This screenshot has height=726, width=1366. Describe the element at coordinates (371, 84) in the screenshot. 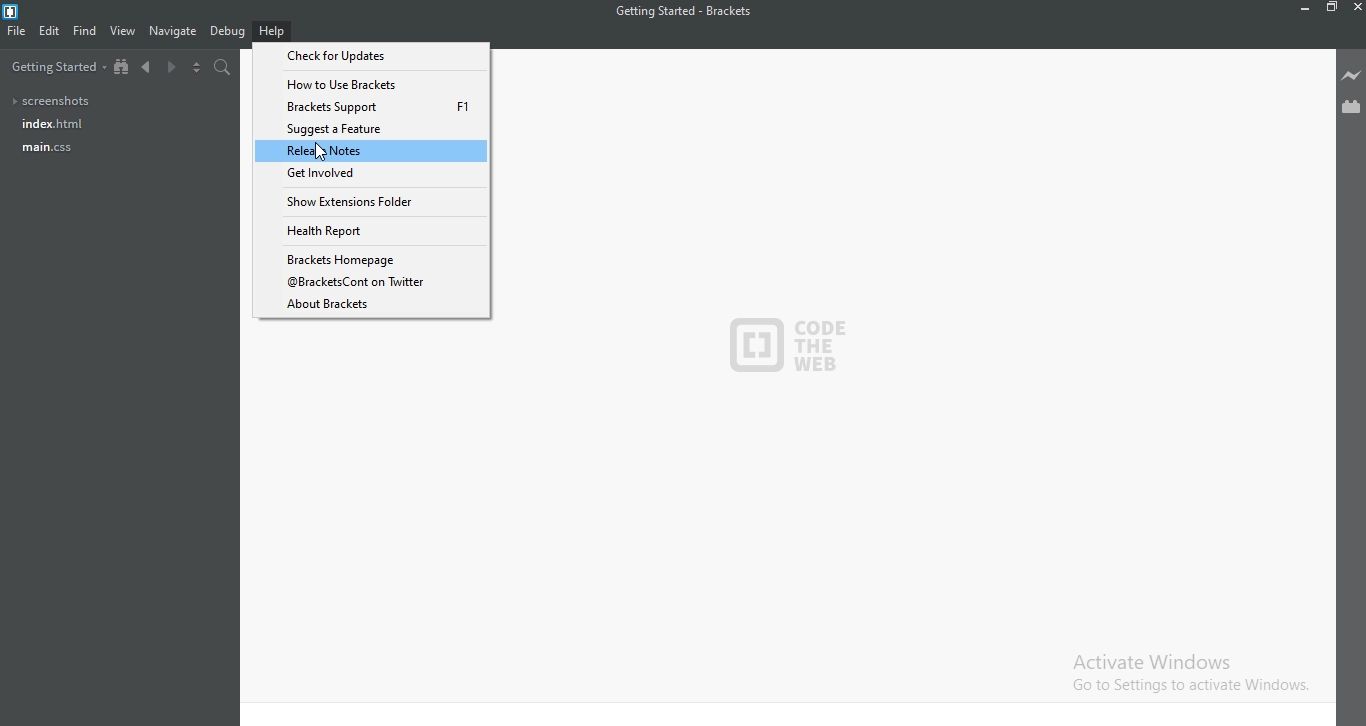

I see `How to Use Brackets` at that location.